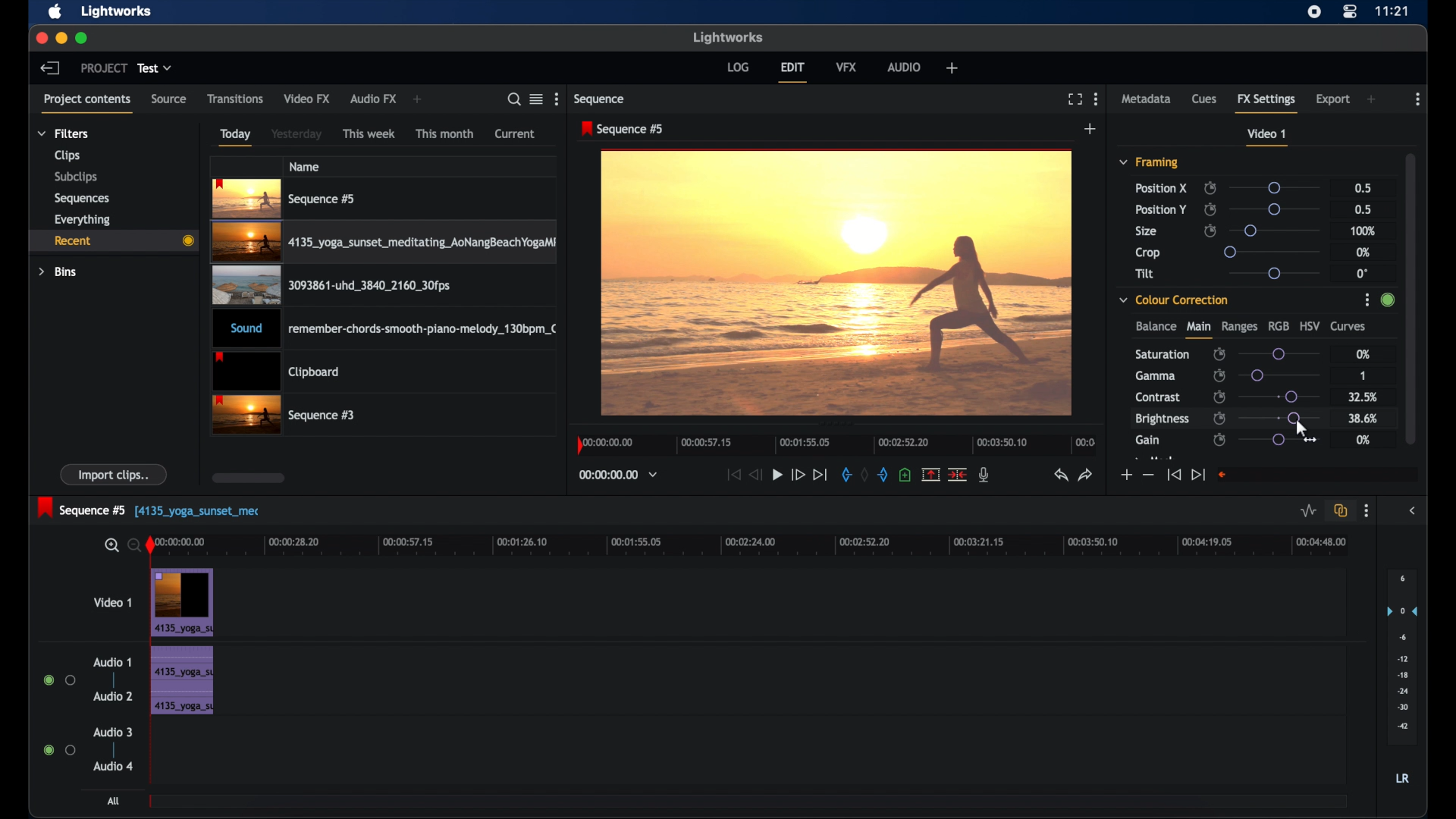 The height and width of the screenshot is (819, 1456). I want to click on slider, so click(1276, 209).